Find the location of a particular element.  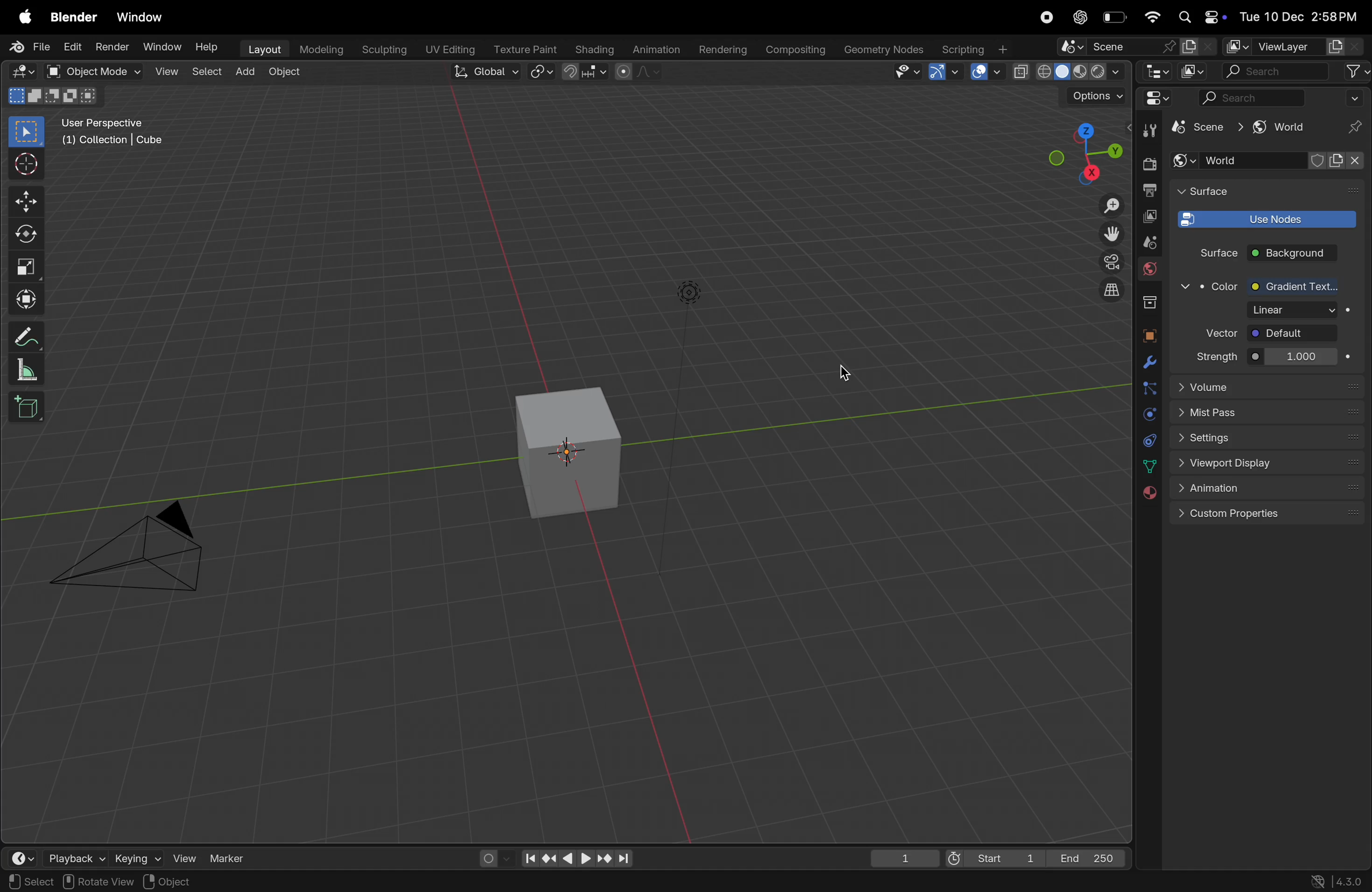

object mode is located at coordinates (93, 71).